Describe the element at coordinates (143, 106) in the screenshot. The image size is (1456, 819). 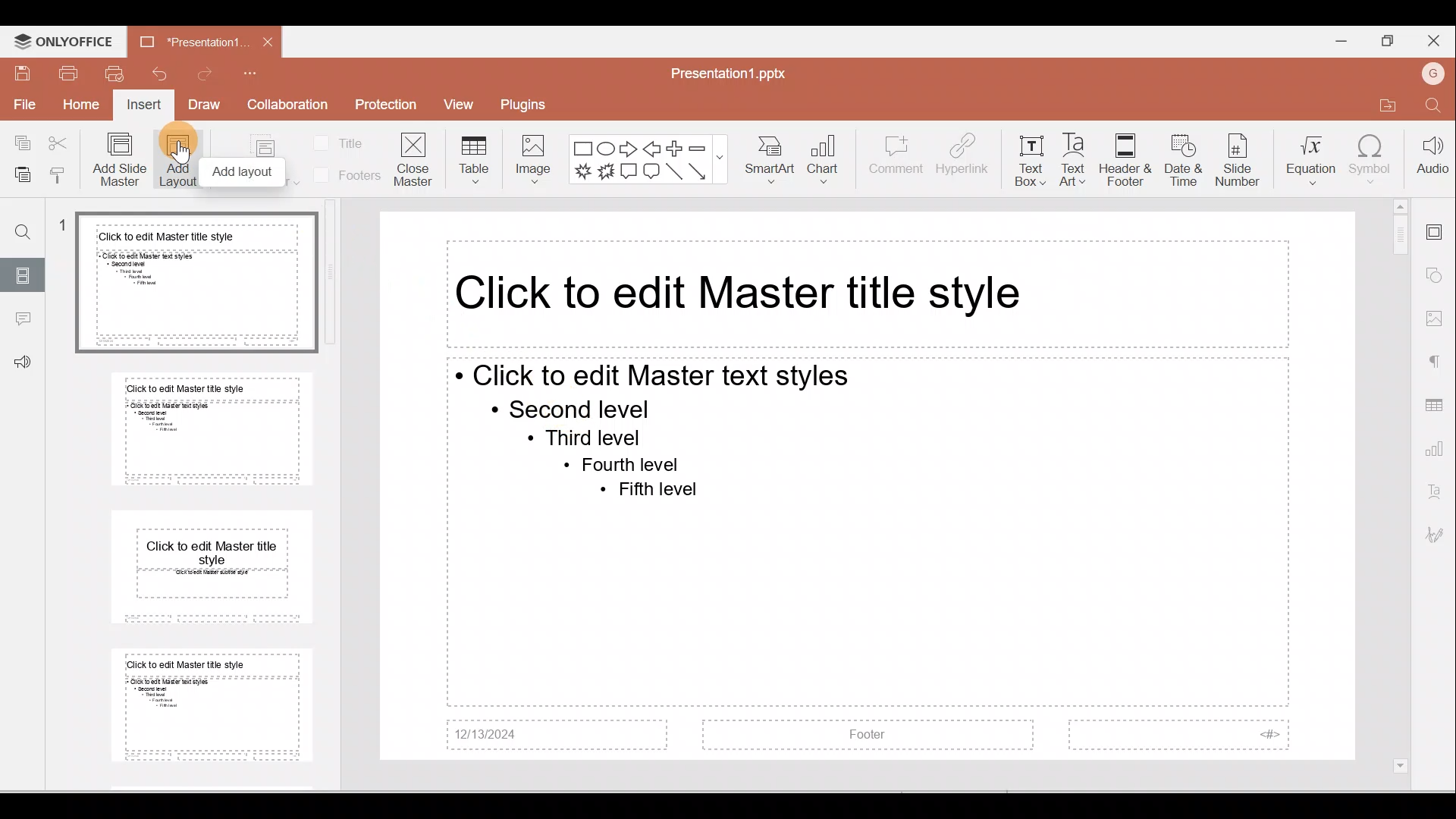
I see `Insert` at that location.